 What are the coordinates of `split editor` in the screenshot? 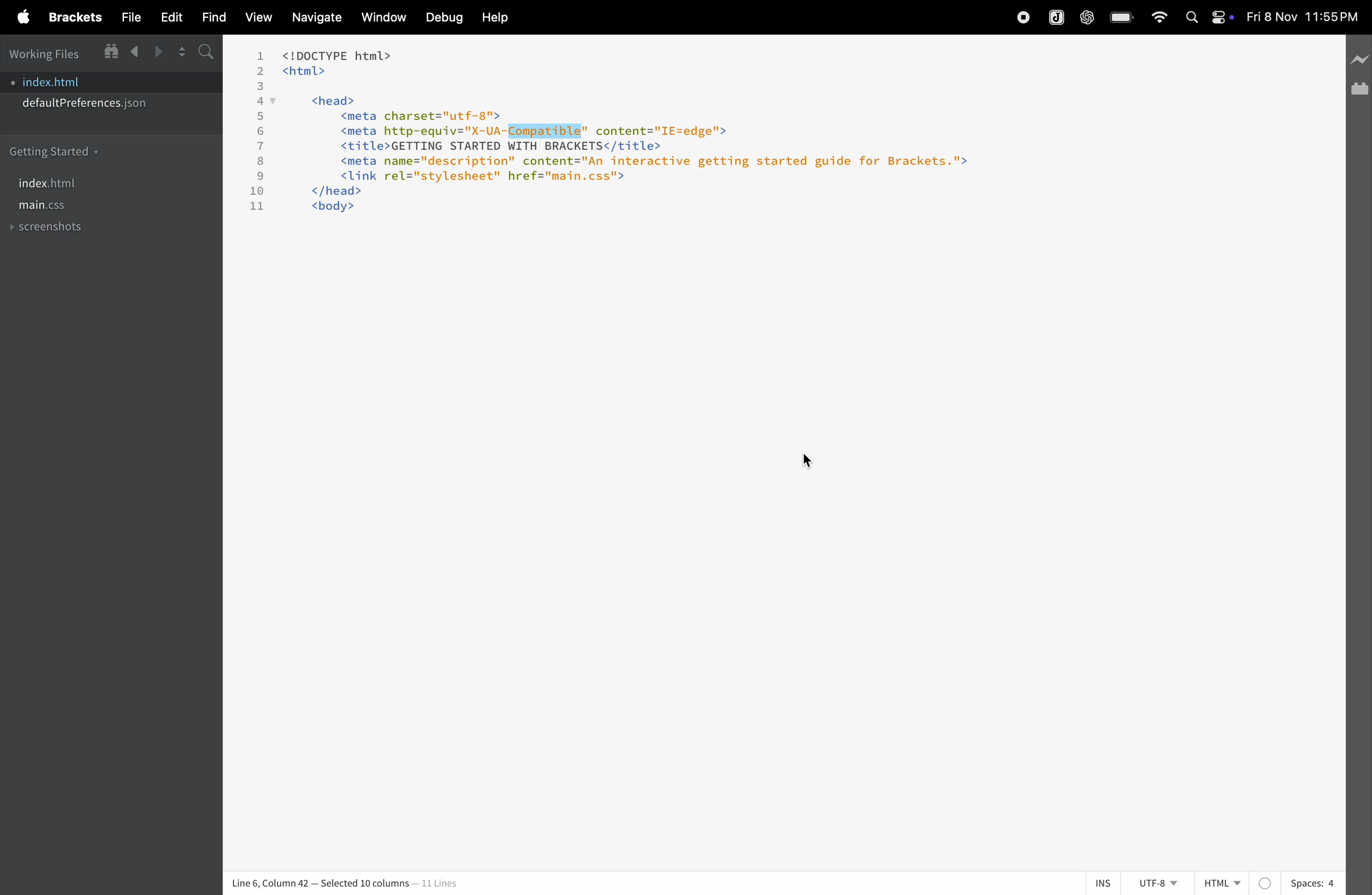 It's located at (177, 52).